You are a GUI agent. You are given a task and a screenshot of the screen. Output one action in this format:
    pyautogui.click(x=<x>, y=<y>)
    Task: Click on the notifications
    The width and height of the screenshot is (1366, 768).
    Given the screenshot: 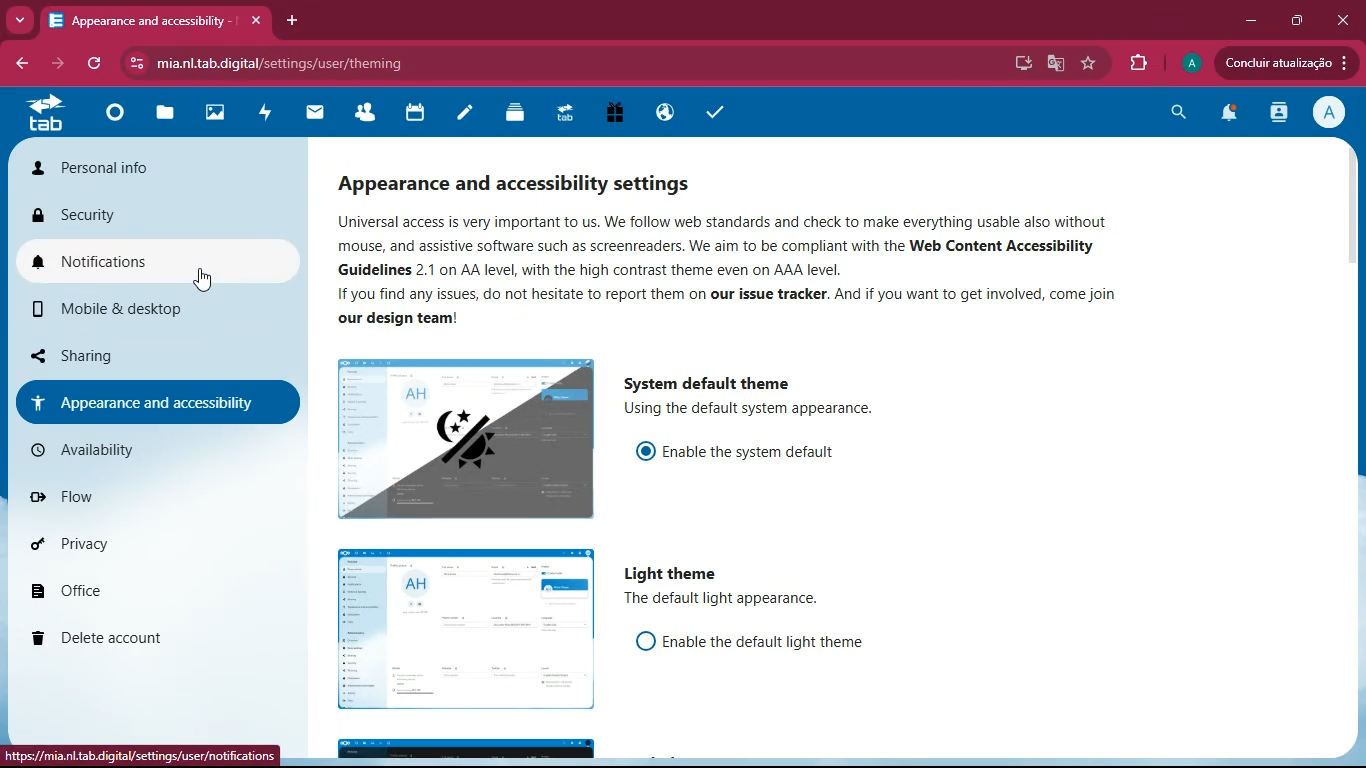 What is the action you would take?
    pyautogui.click(x=1227, y=116)
    